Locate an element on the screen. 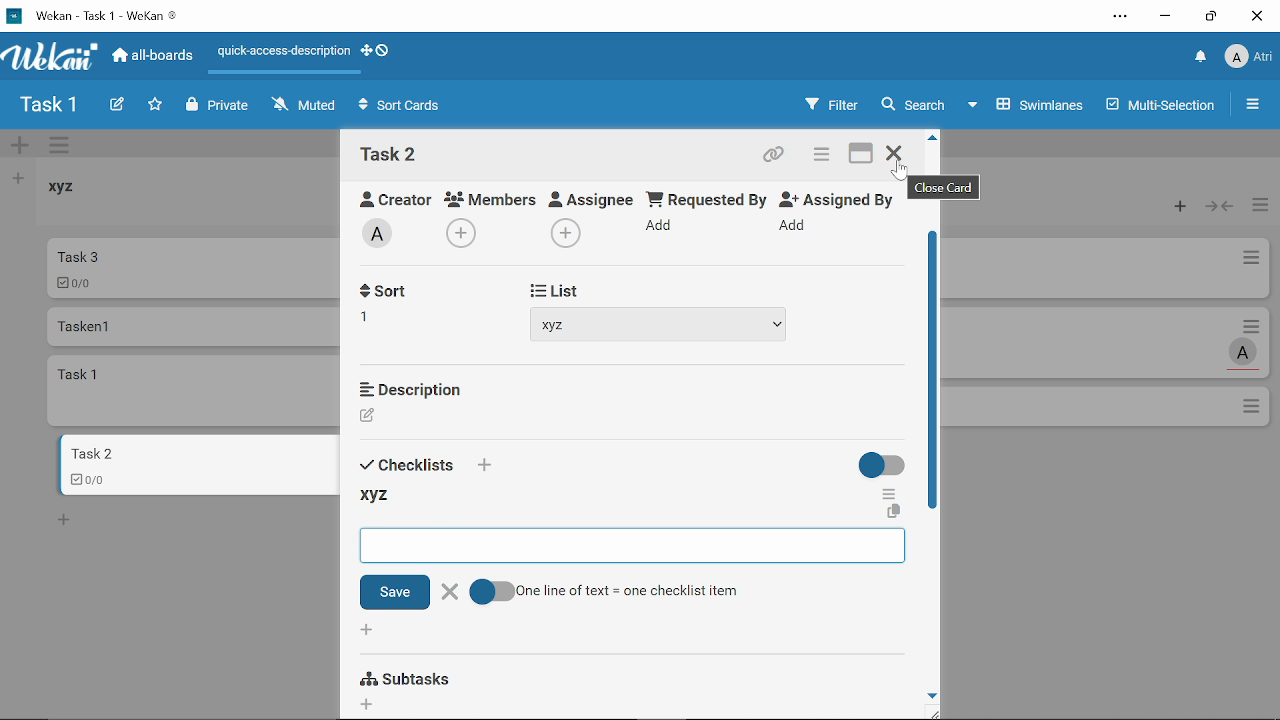  close card is located at coordinates (945, 187).